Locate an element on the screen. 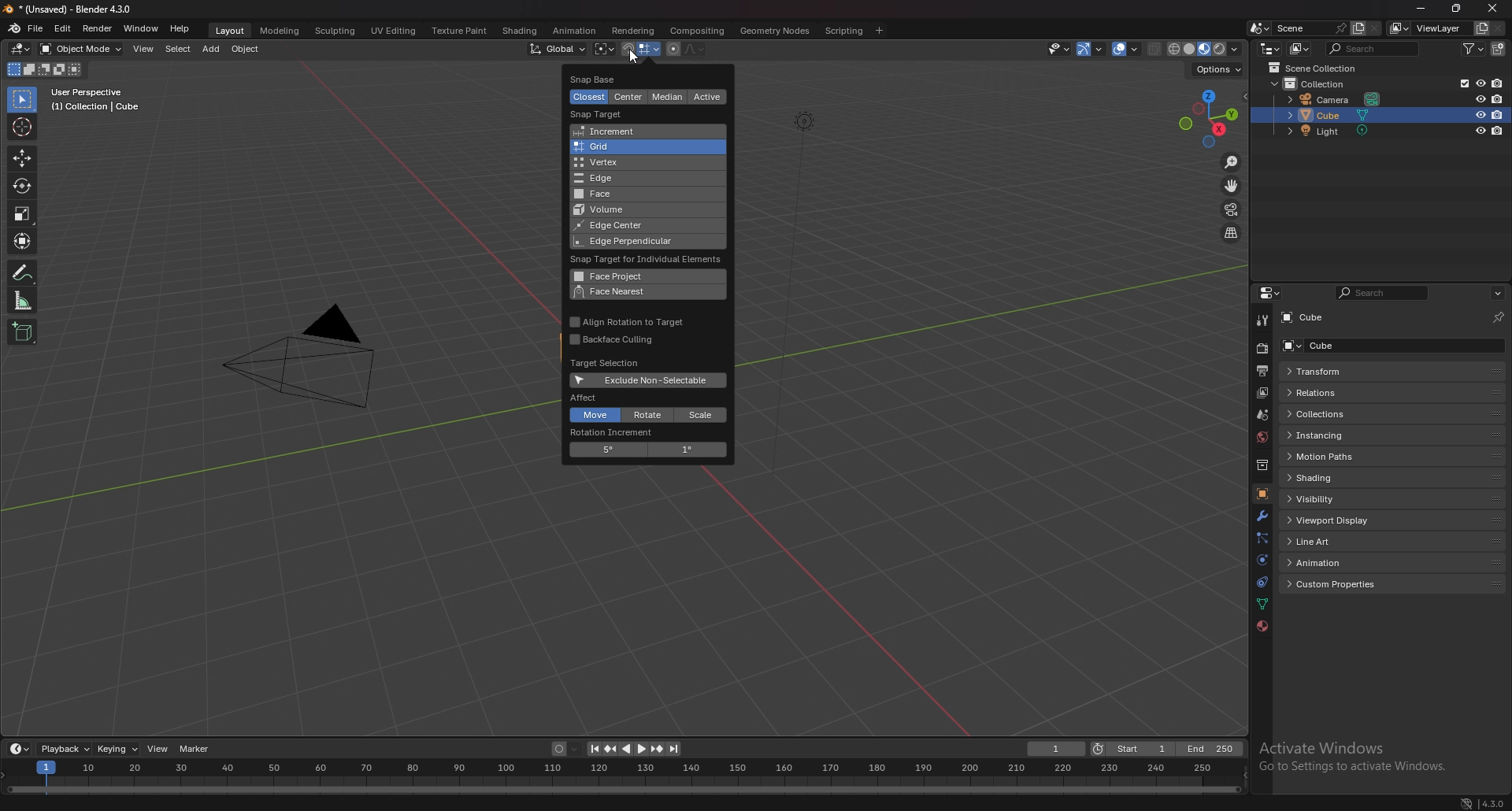 The width and height of the screenshot is (1512, 811). file is located at coordinates (36, 28).